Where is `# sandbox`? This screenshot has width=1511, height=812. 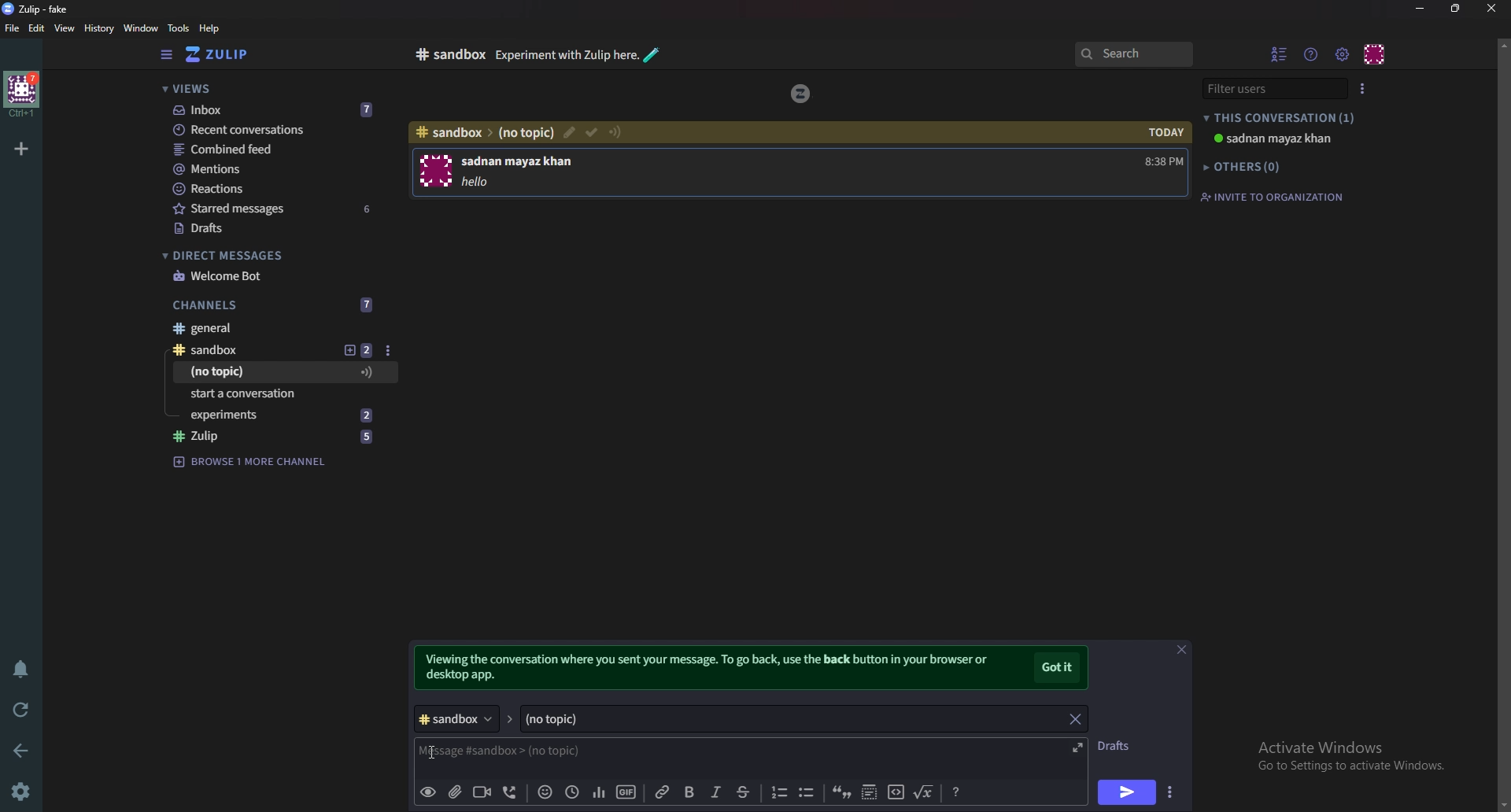 # sandbox is located at coordinates (464, 718).